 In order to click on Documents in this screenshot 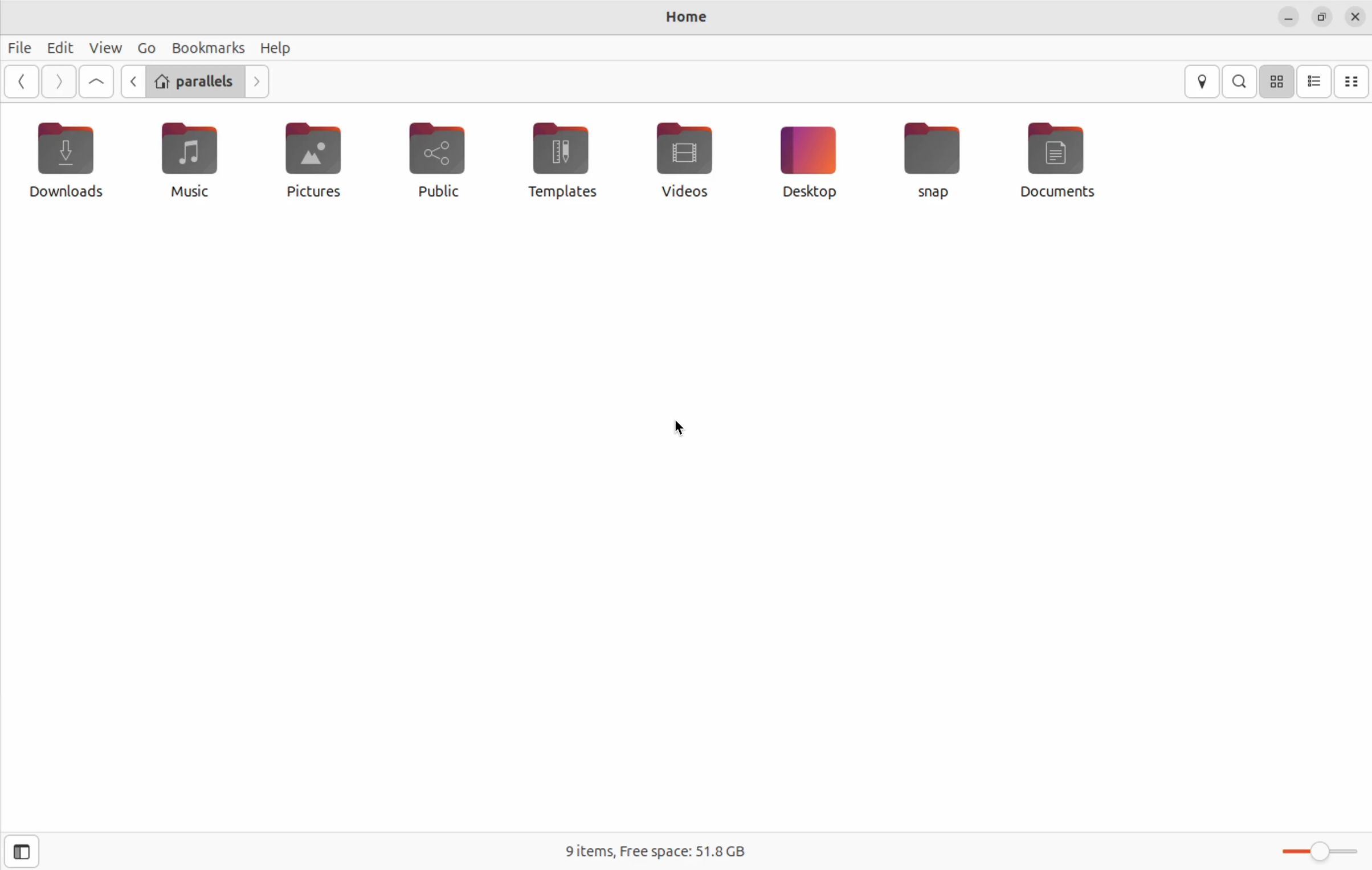, I will do `click(1059, 158)`.